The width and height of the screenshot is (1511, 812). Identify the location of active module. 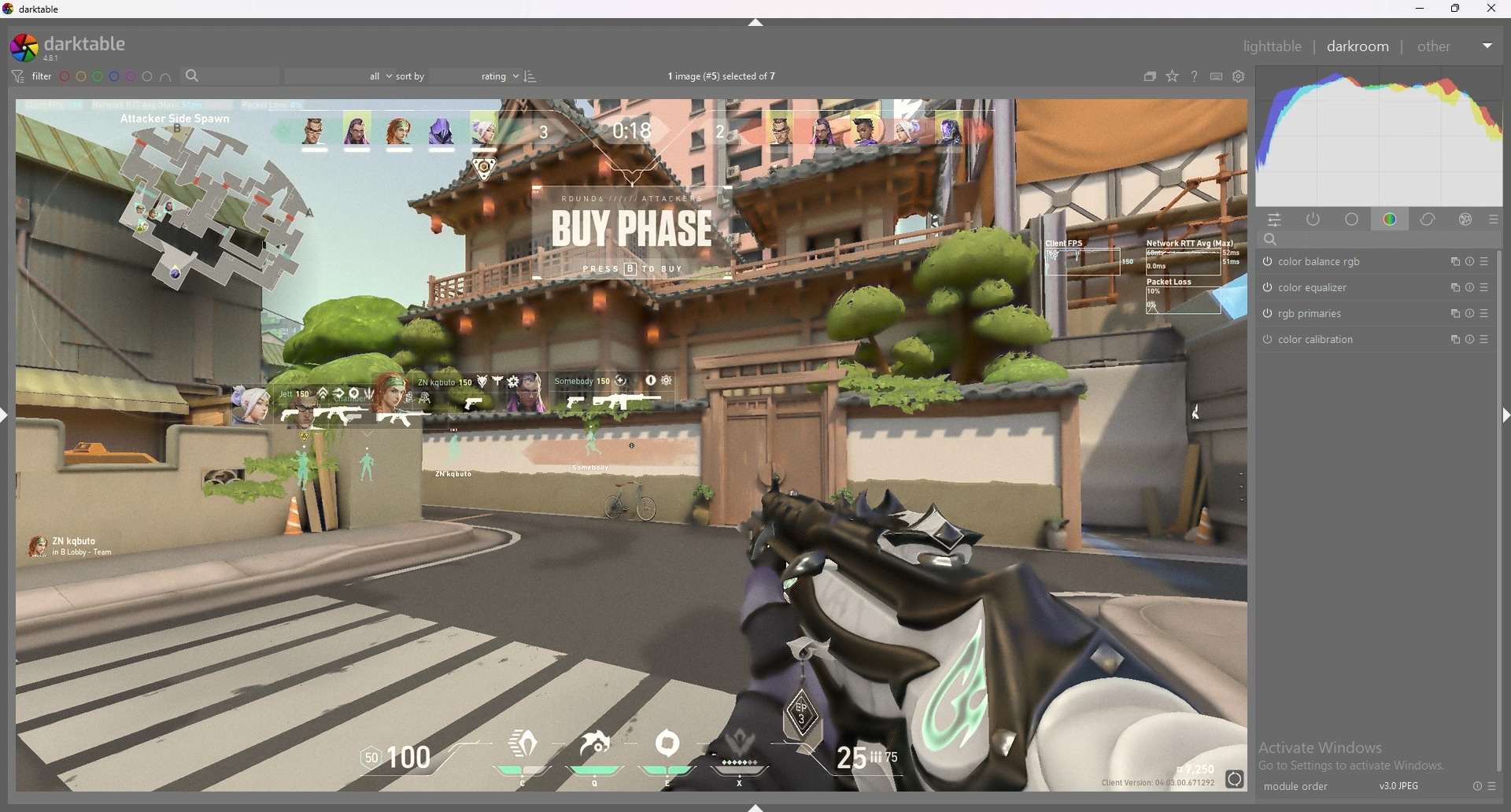
(1314, 219).